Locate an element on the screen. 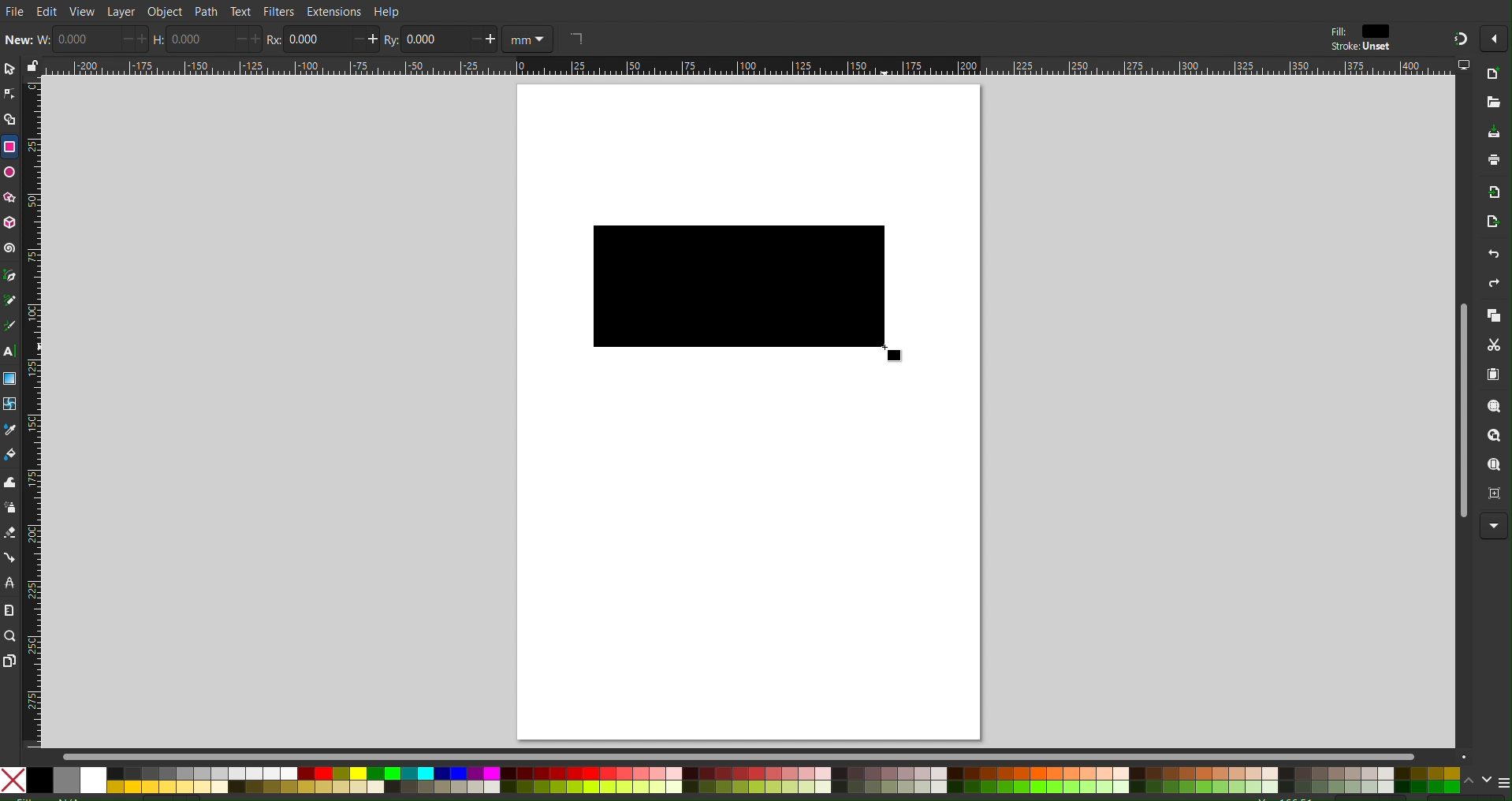 This screenshot has width=1512, height=801. Mesh tool is located at coordinates (10, 404).